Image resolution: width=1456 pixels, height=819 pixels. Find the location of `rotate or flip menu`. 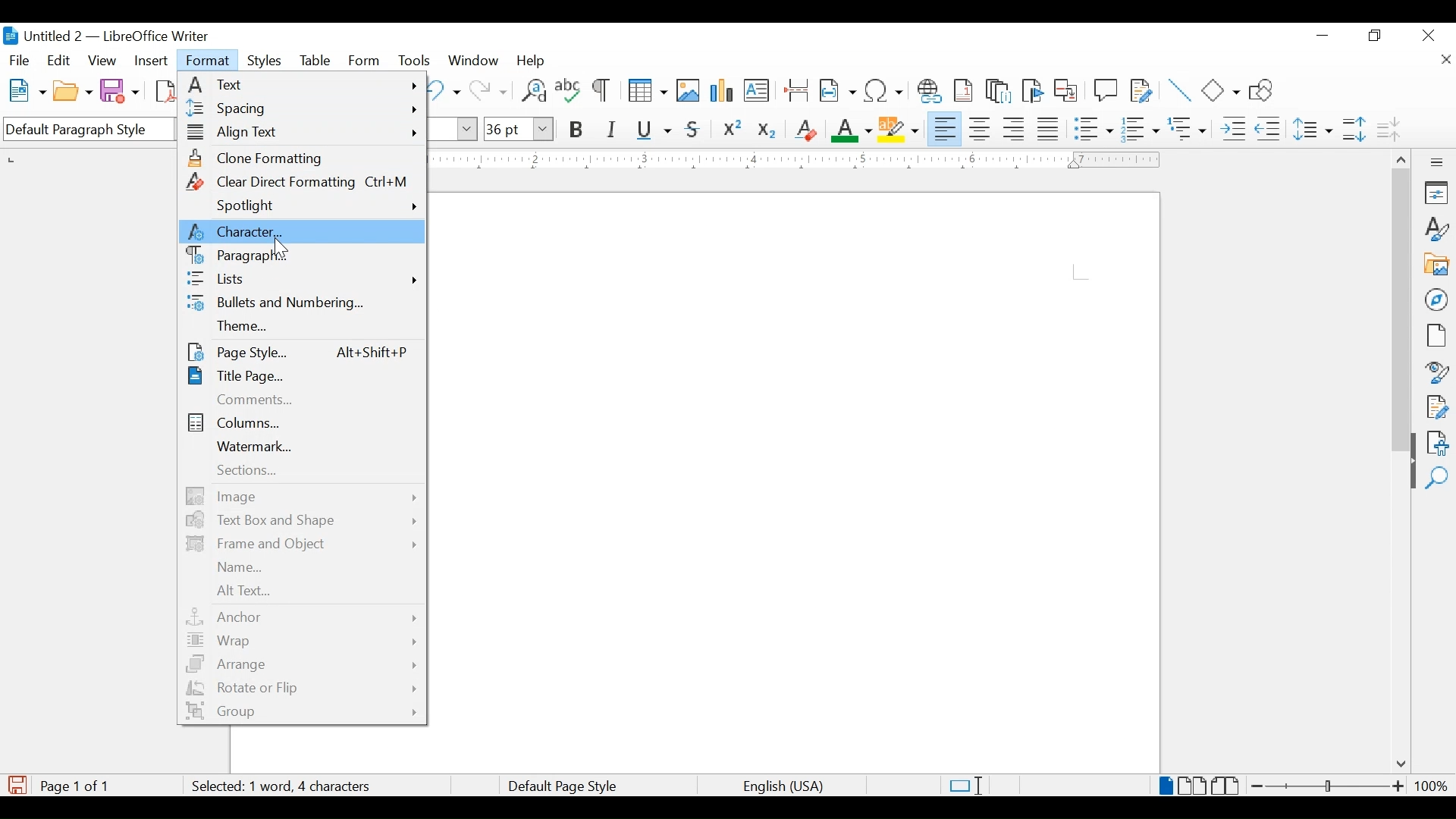

rotate or flip menu is located at coordinates (302, 689).